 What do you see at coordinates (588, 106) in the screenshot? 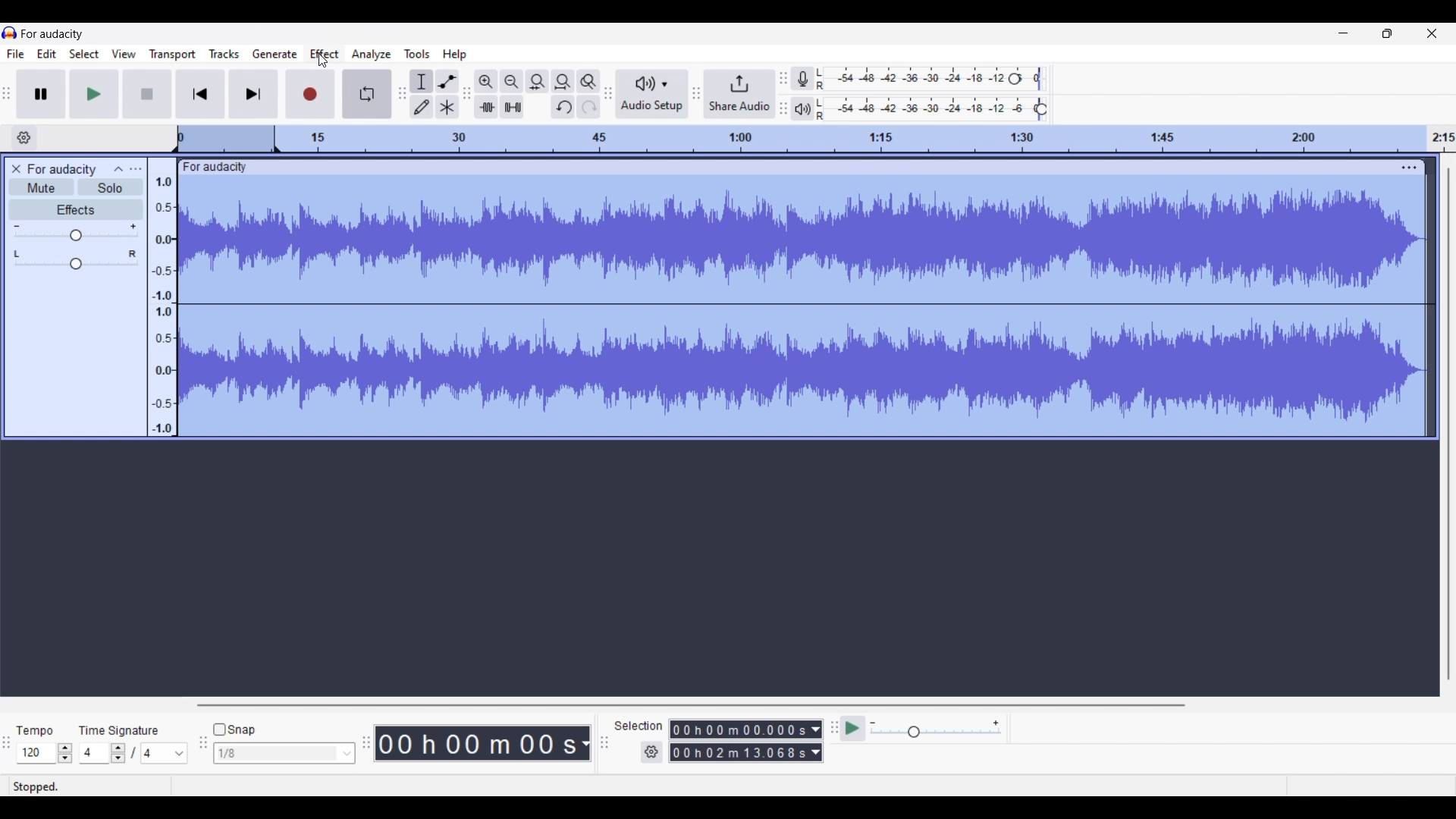
I see `Redo` at bounding box center [588, 106].